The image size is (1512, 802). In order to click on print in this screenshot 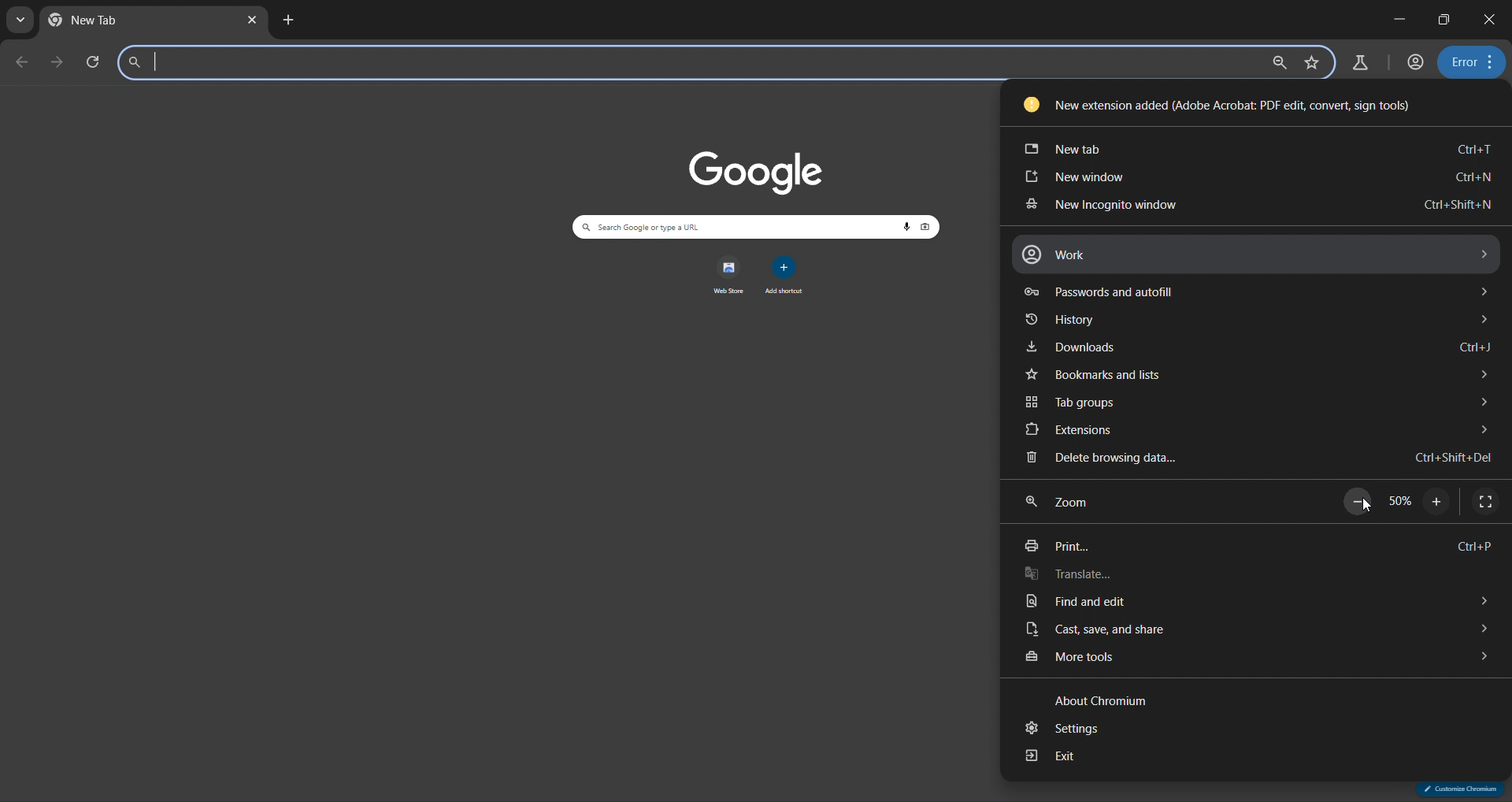, I will do `click(1258, 544)`.